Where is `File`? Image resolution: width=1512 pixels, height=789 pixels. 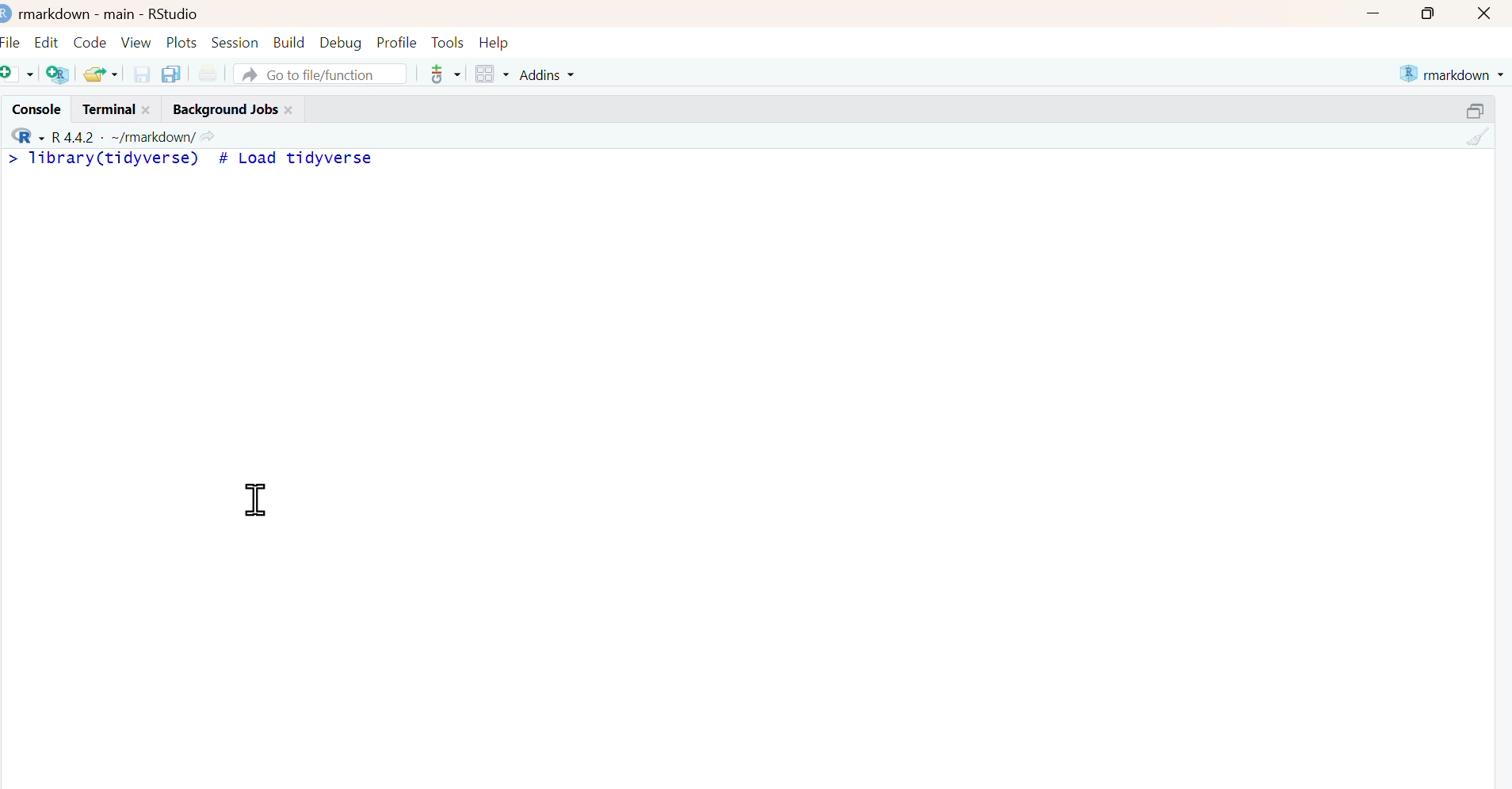
File is located at coordinates (13, 40).